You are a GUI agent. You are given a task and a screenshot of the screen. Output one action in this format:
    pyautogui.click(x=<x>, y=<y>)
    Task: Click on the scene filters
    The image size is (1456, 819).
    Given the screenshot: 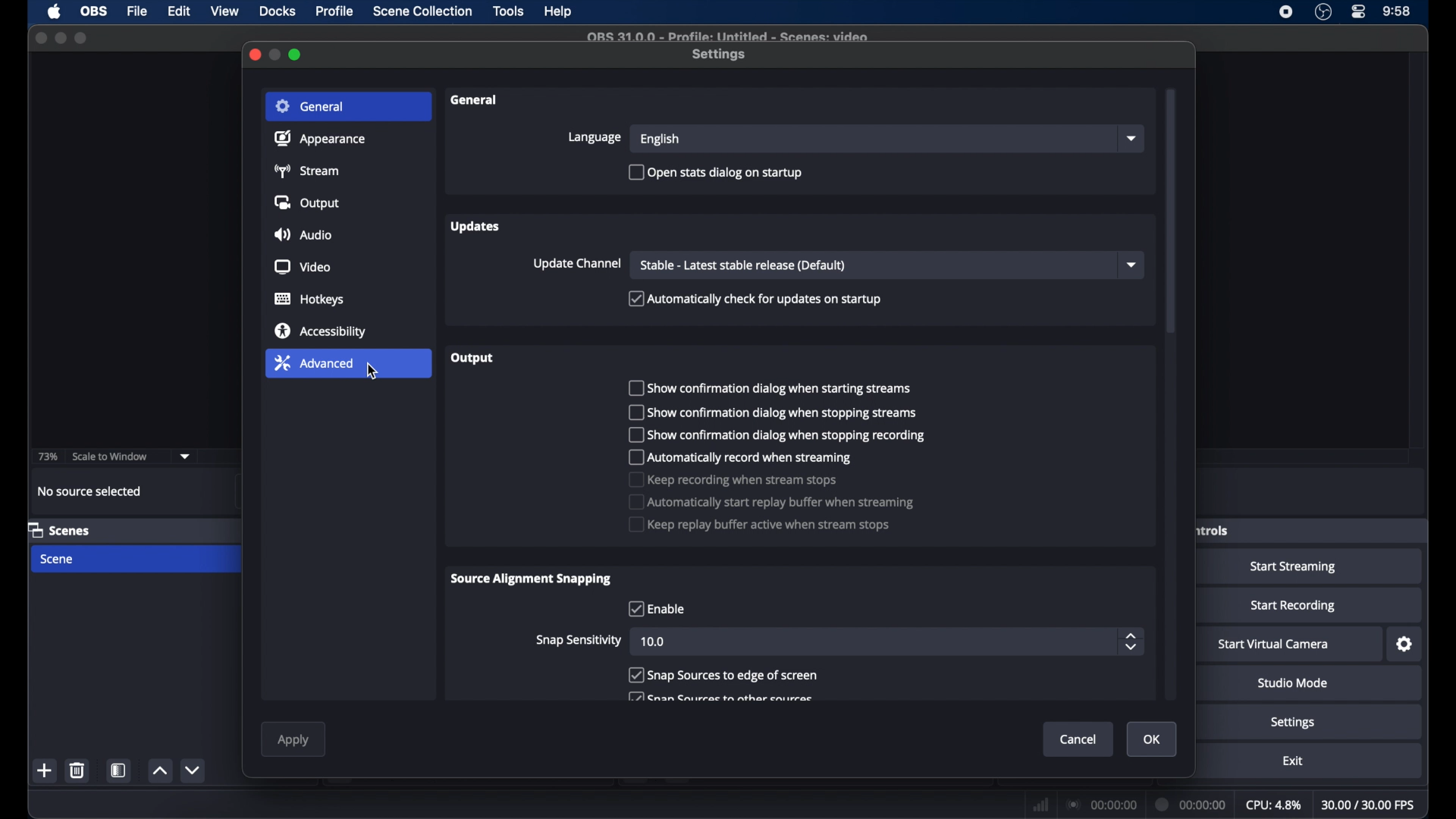 What is the action you would take?
    pyautogui.click(x=121, y=770)
    